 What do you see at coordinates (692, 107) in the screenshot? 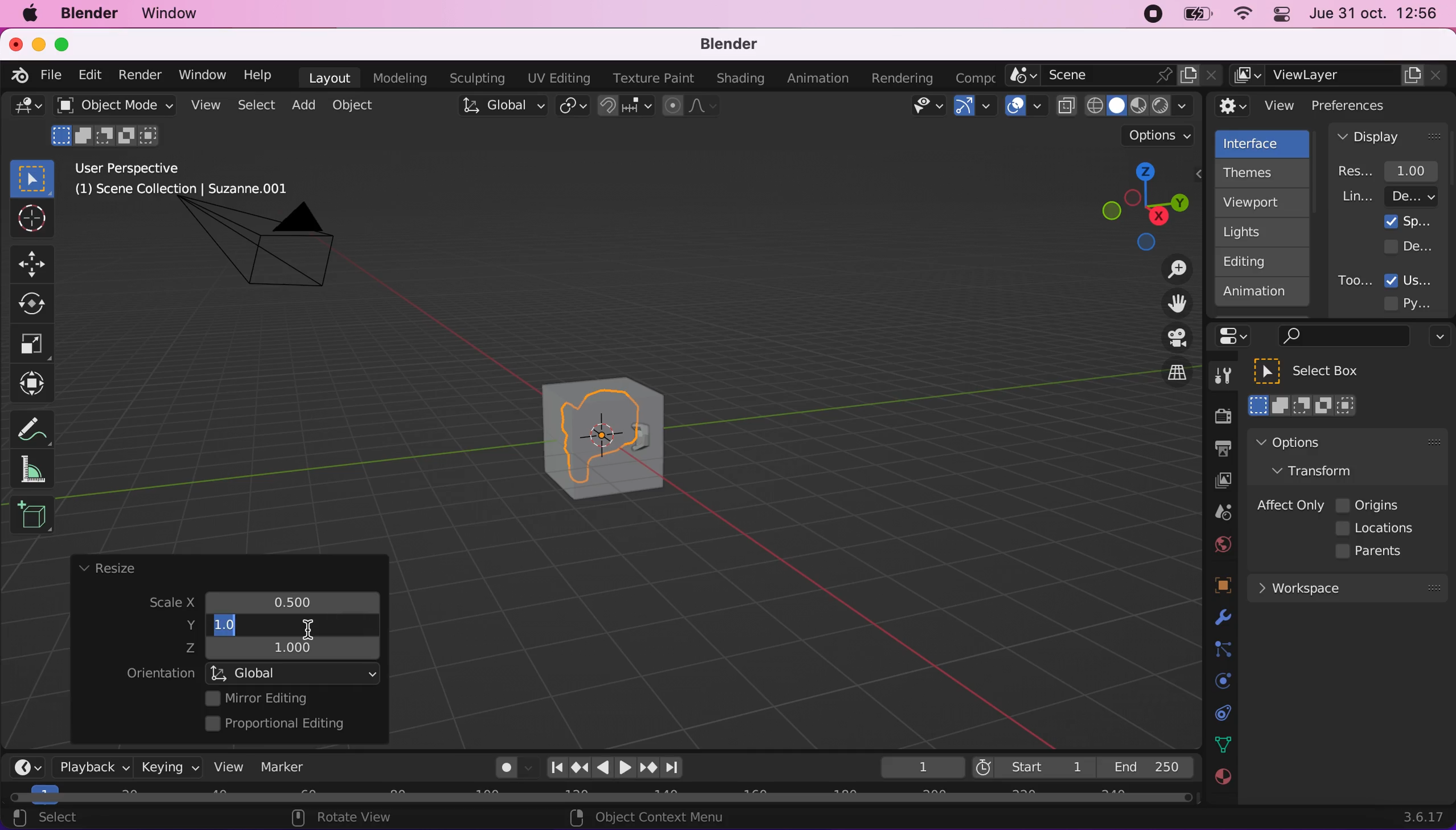
I see `proportional editing objects` at bounding box center [692, 107].